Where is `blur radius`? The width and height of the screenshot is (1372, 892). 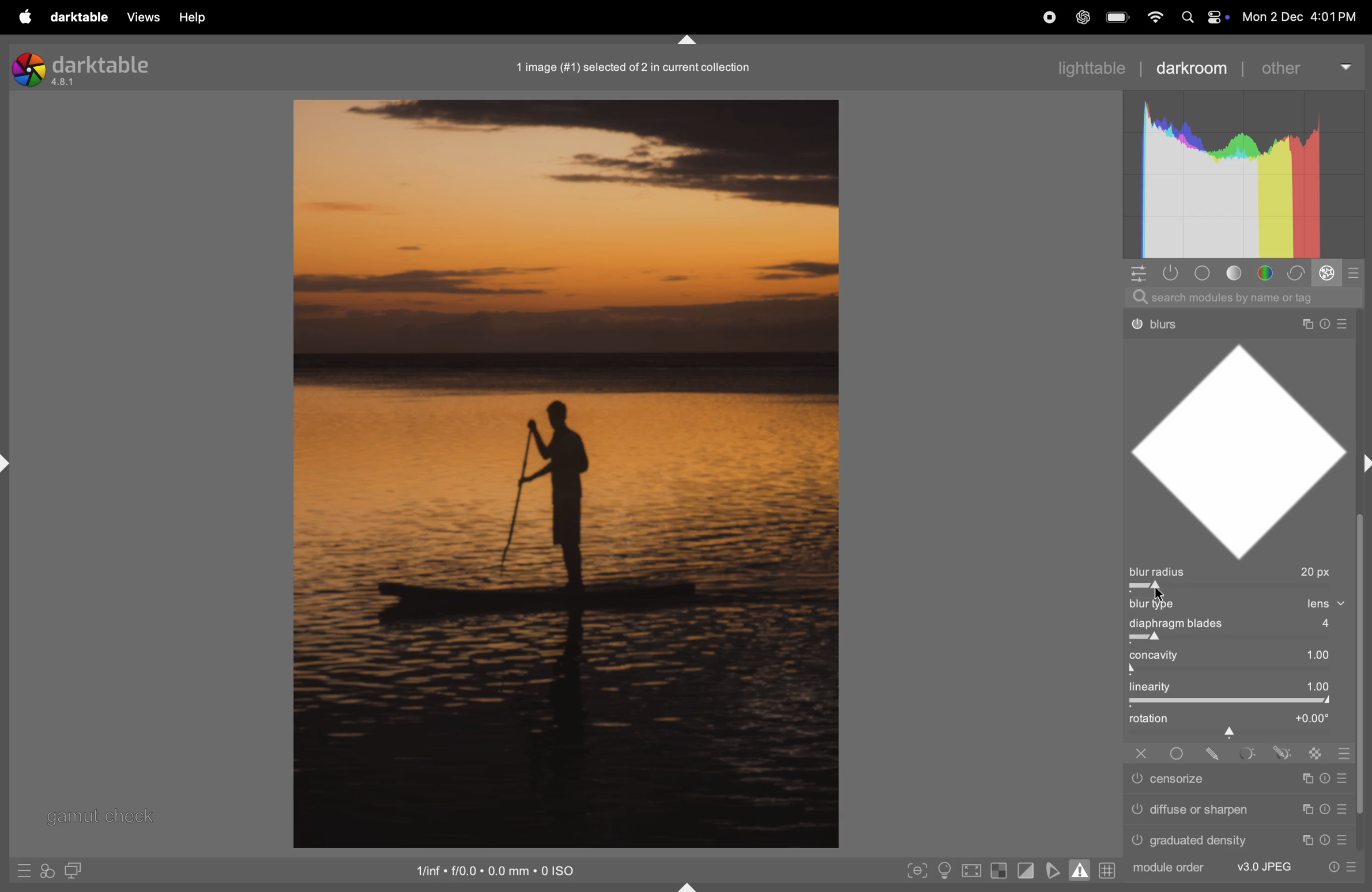
blur radius is located at coordinates (1238, 572).